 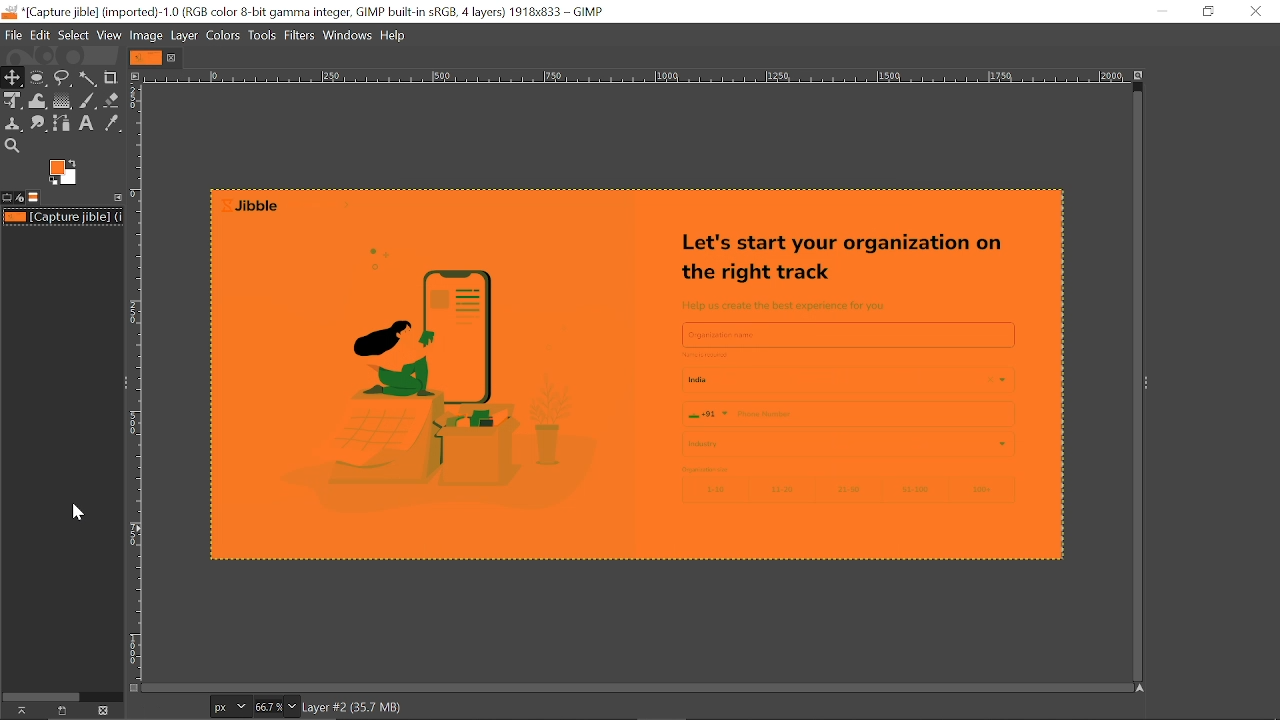 I want to click on Zoom image when window size changes, so click(x=1141, y=78).